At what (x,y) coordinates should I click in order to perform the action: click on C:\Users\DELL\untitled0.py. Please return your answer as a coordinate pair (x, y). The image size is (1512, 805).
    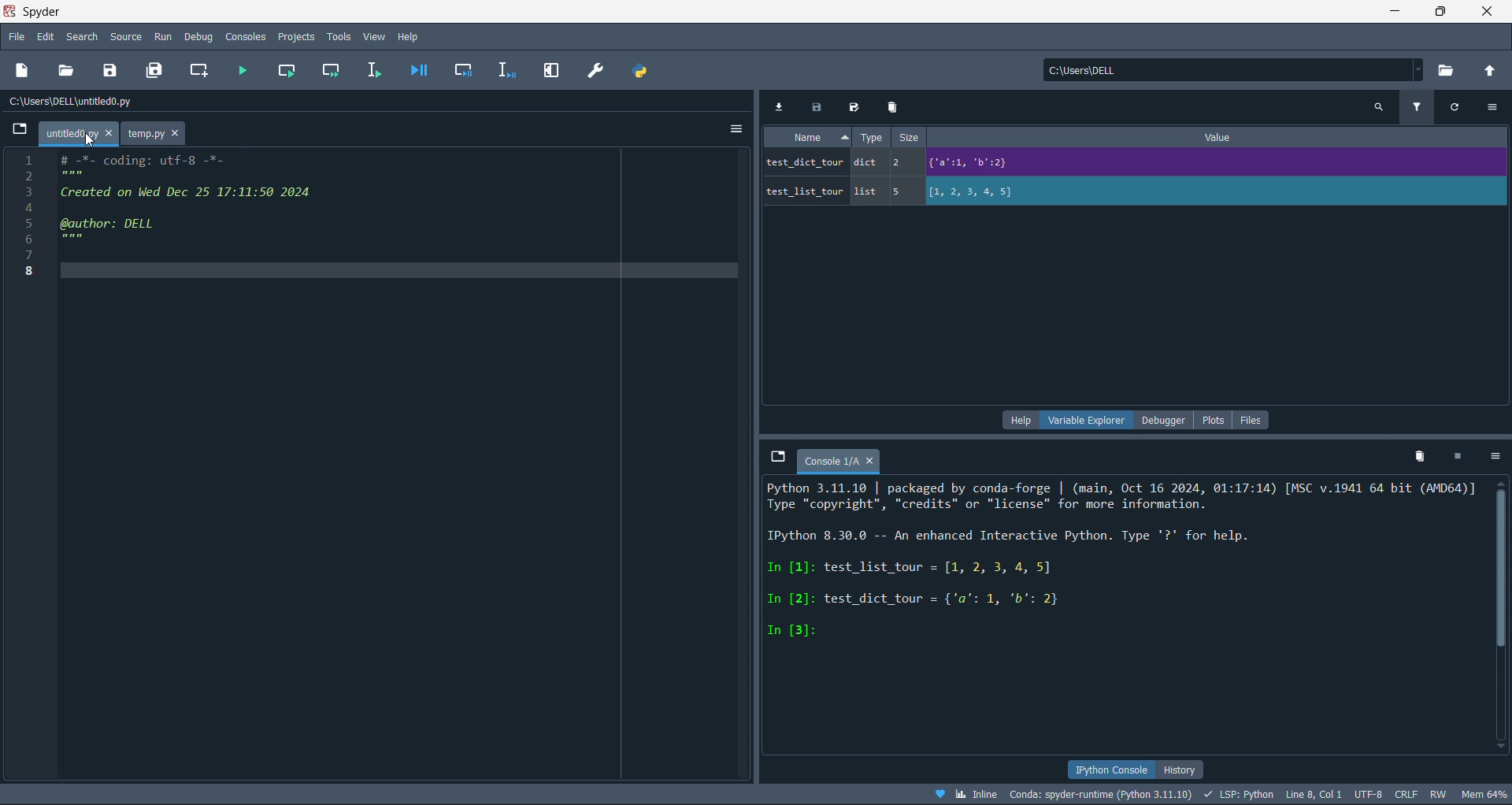
    Looking at the image, I should click on (83, 104).